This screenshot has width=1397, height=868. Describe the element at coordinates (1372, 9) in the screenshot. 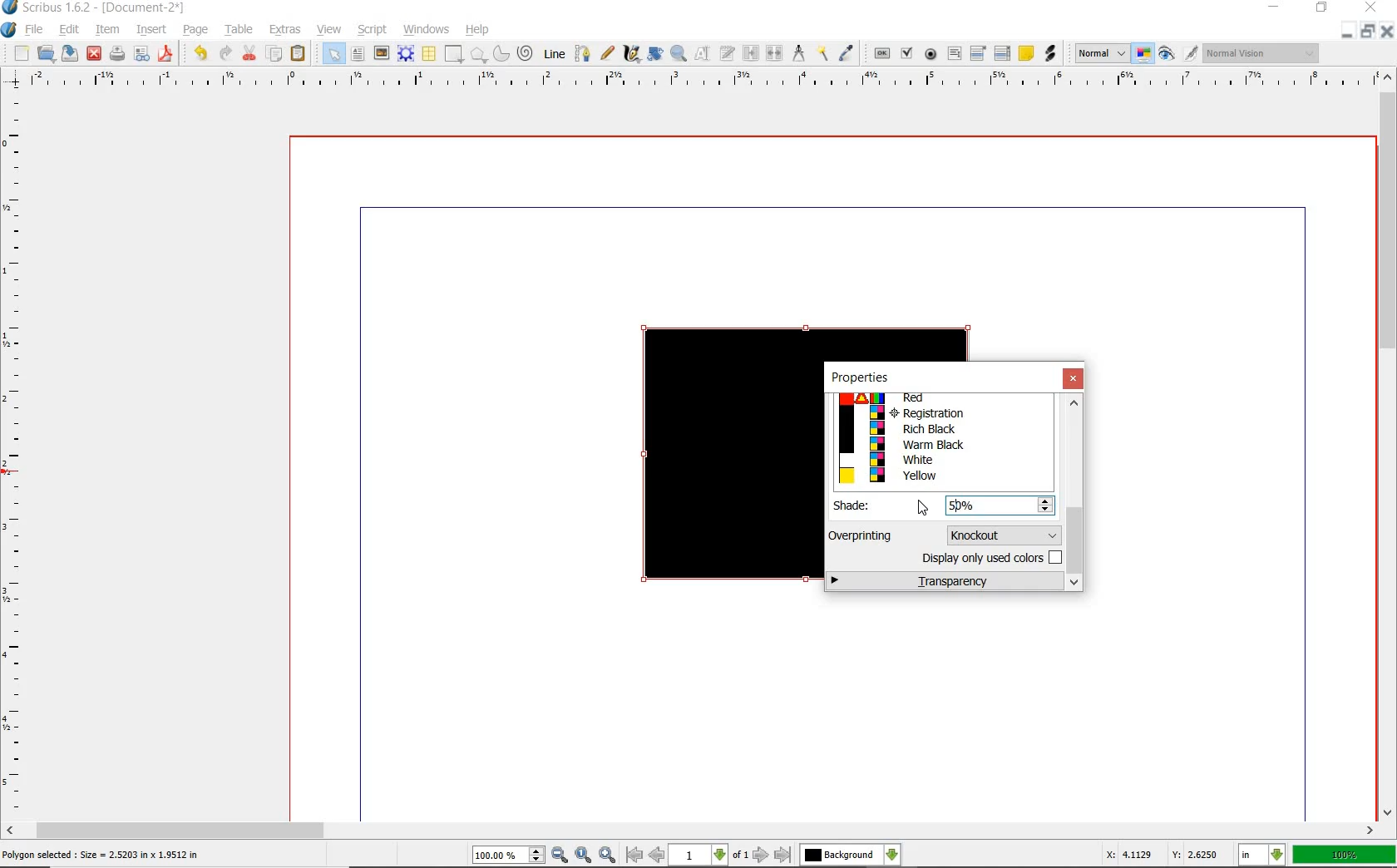

I see `CLOSE` at that location.